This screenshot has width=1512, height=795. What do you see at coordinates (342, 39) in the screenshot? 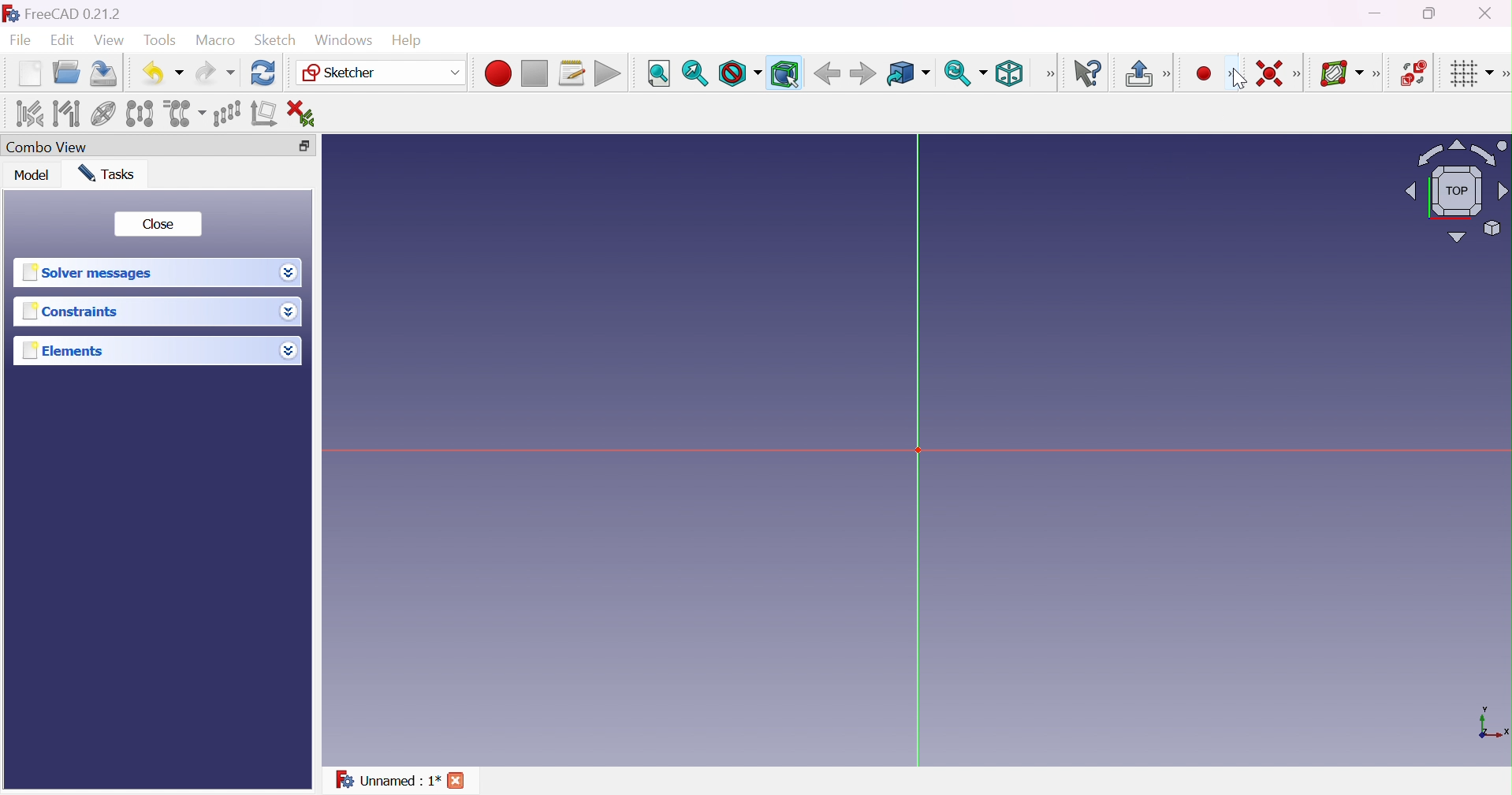
I see `Windows` at bounding box center [342, 39].